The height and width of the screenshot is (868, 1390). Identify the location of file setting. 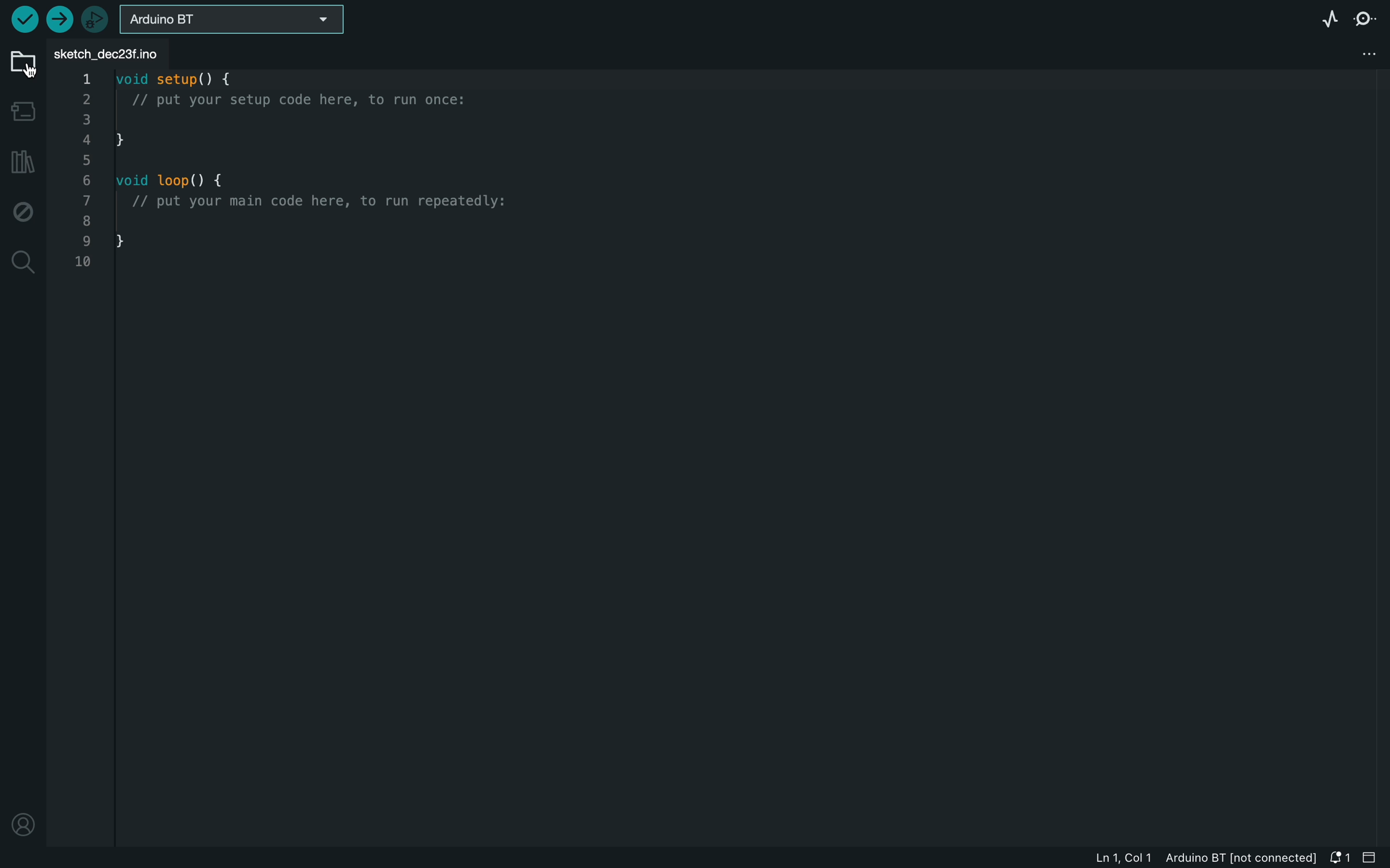
(1364, 52).